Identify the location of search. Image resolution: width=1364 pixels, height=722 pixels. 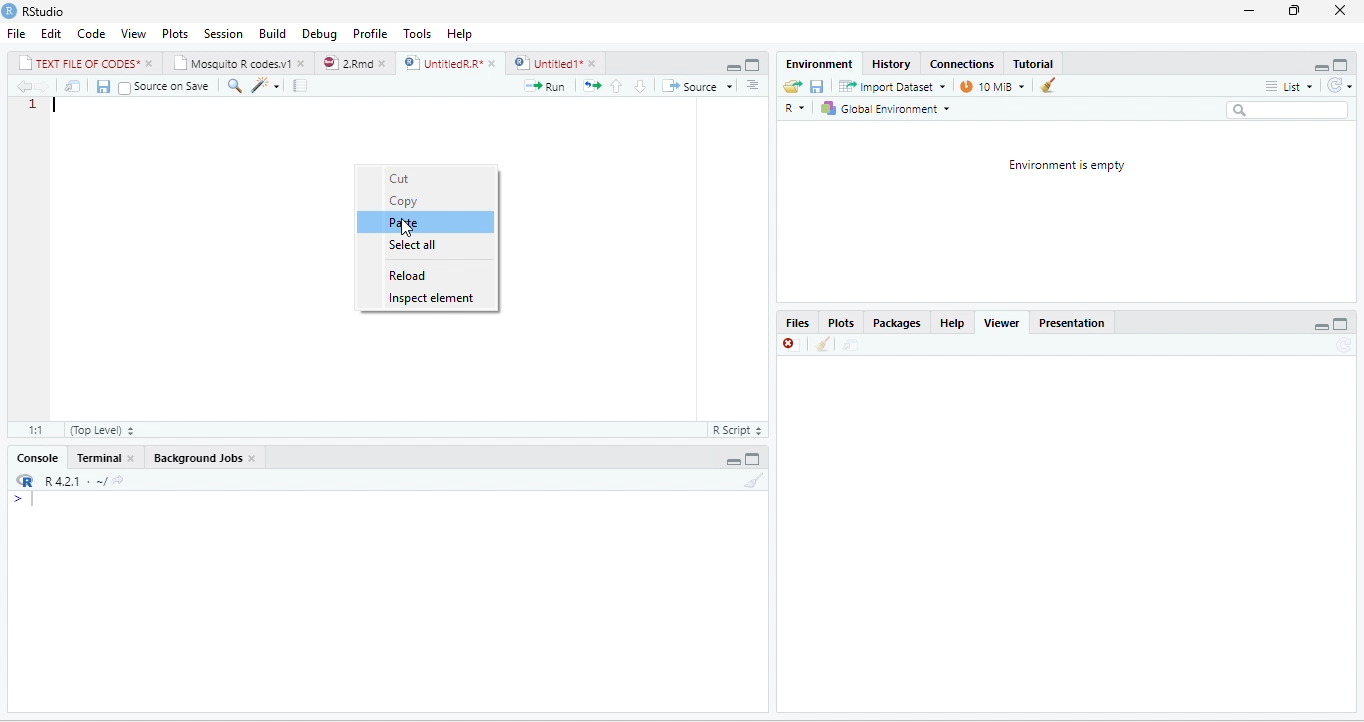
(1288, 109).